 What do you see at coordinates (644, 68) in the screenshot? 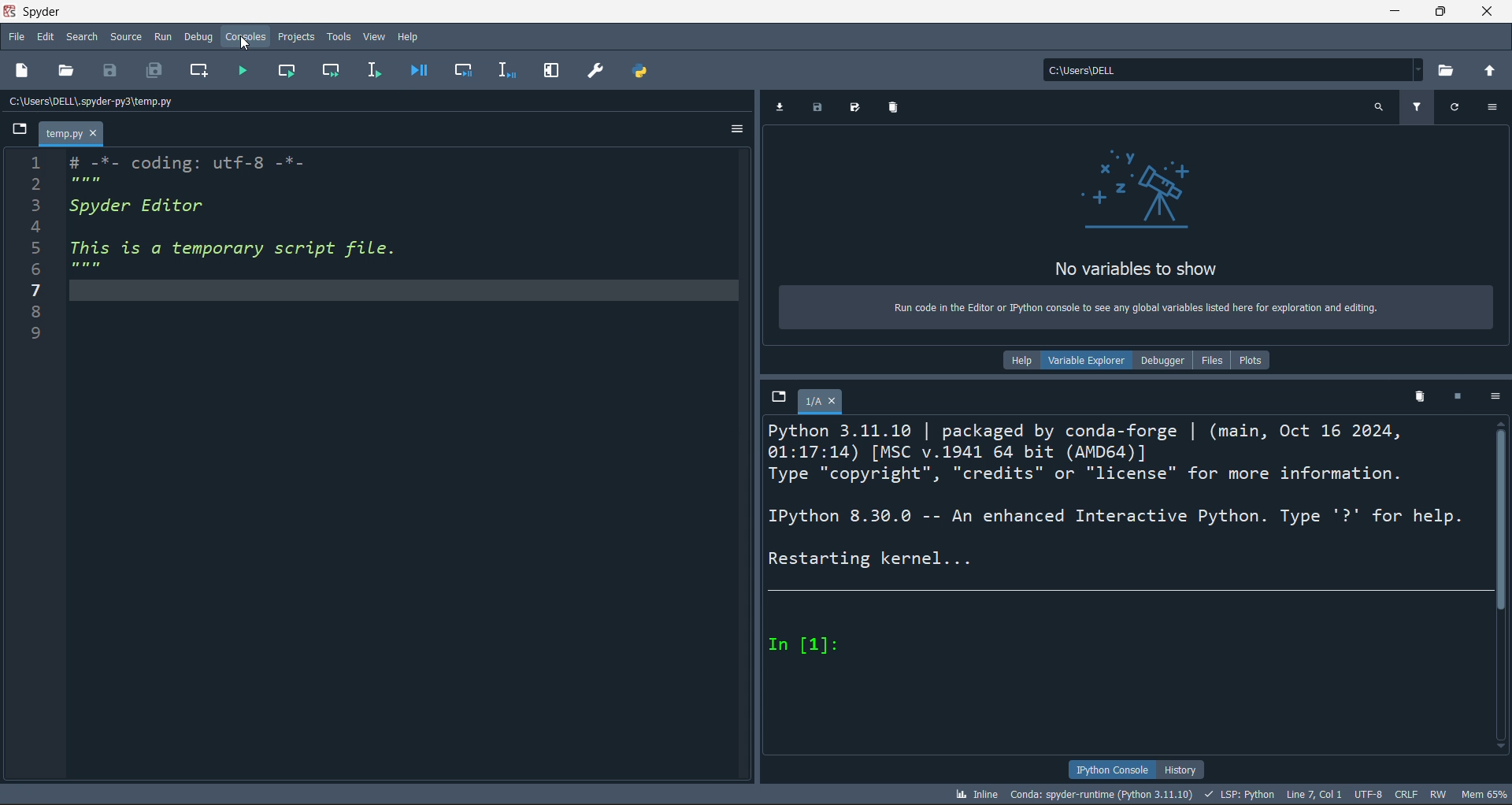
I see `path manager` at bounding box center [644, 68].